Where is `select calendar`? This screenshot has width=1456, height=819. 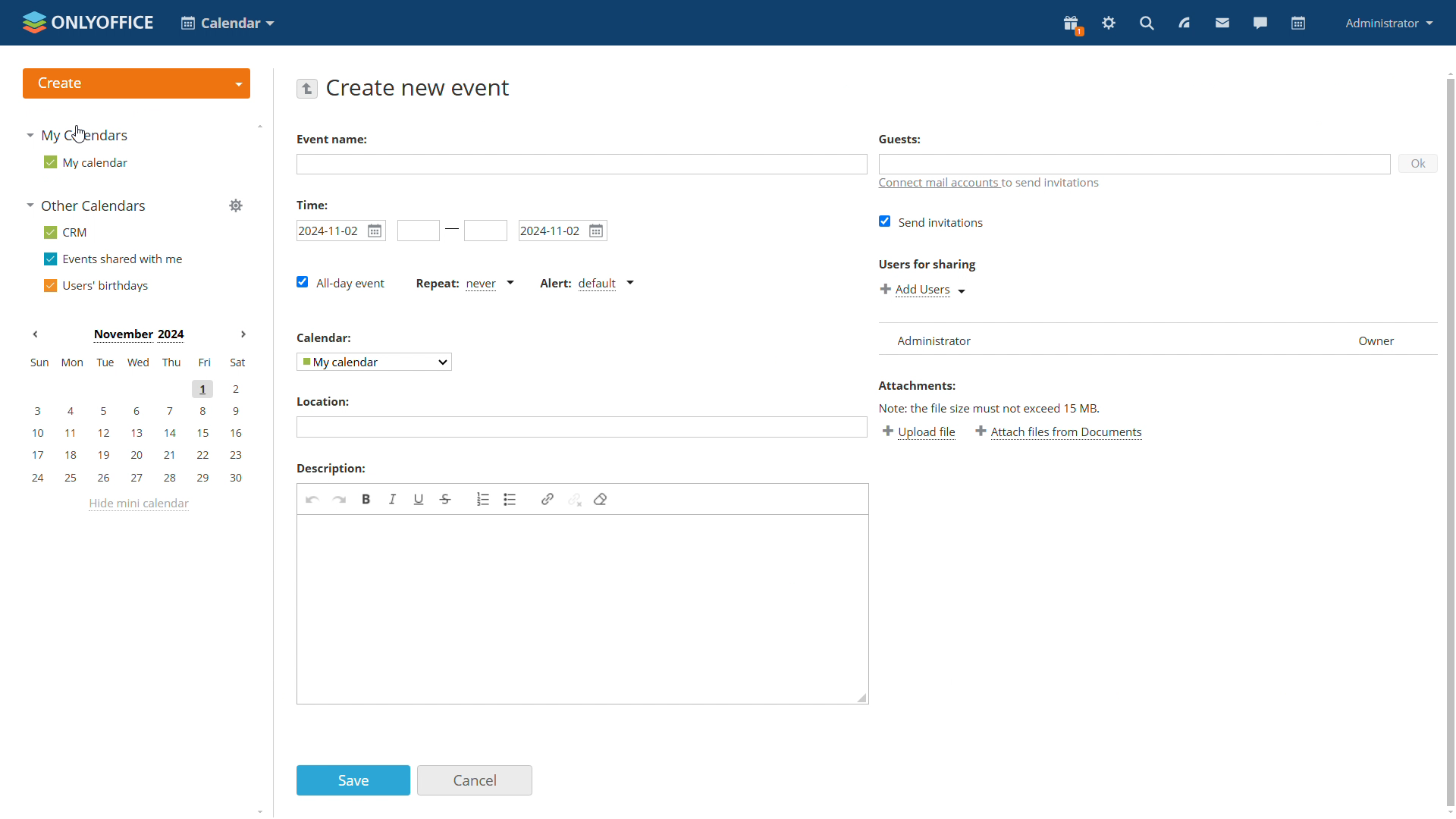
select calendar is located at coordinates (372, 361).